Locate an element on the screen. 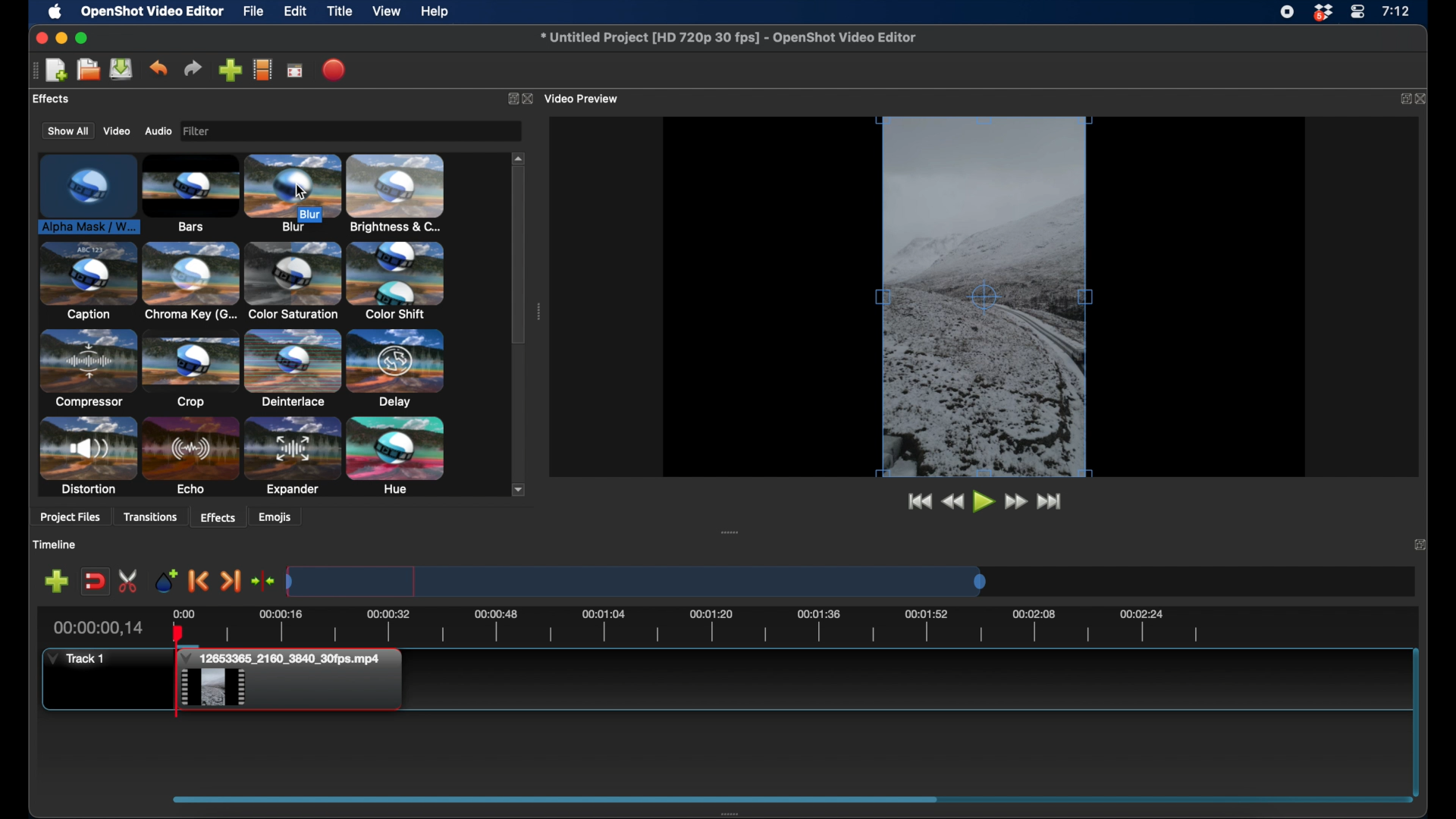 This screenshot has height=819, width=1456. center the playhead on timeline is located at coordinates (264, 580).